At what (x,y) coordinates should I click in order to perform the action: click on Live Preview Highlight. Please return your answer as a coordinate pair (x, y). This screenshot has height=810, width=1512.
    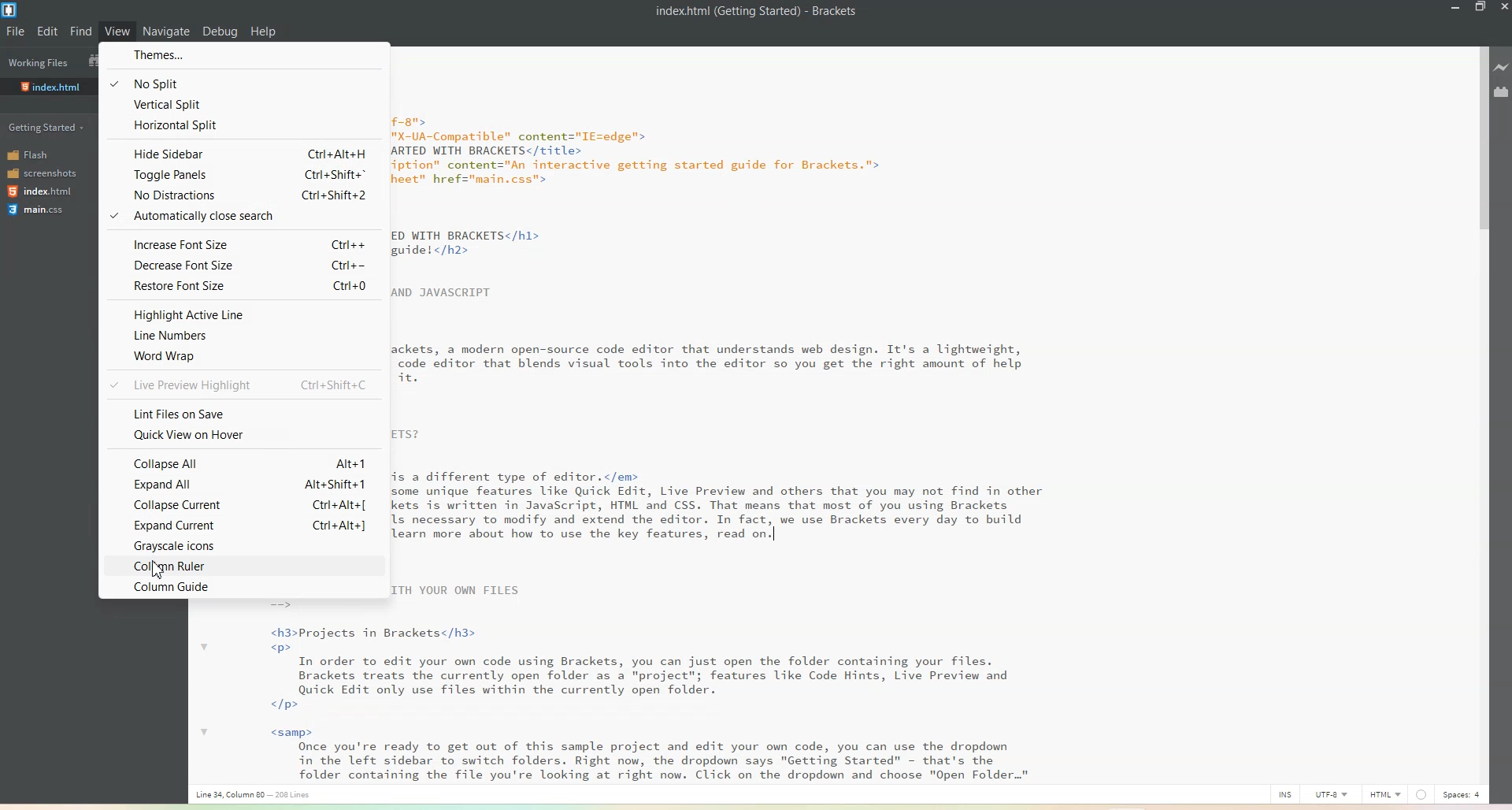
    Looking at the image, I should click on (242, 384).